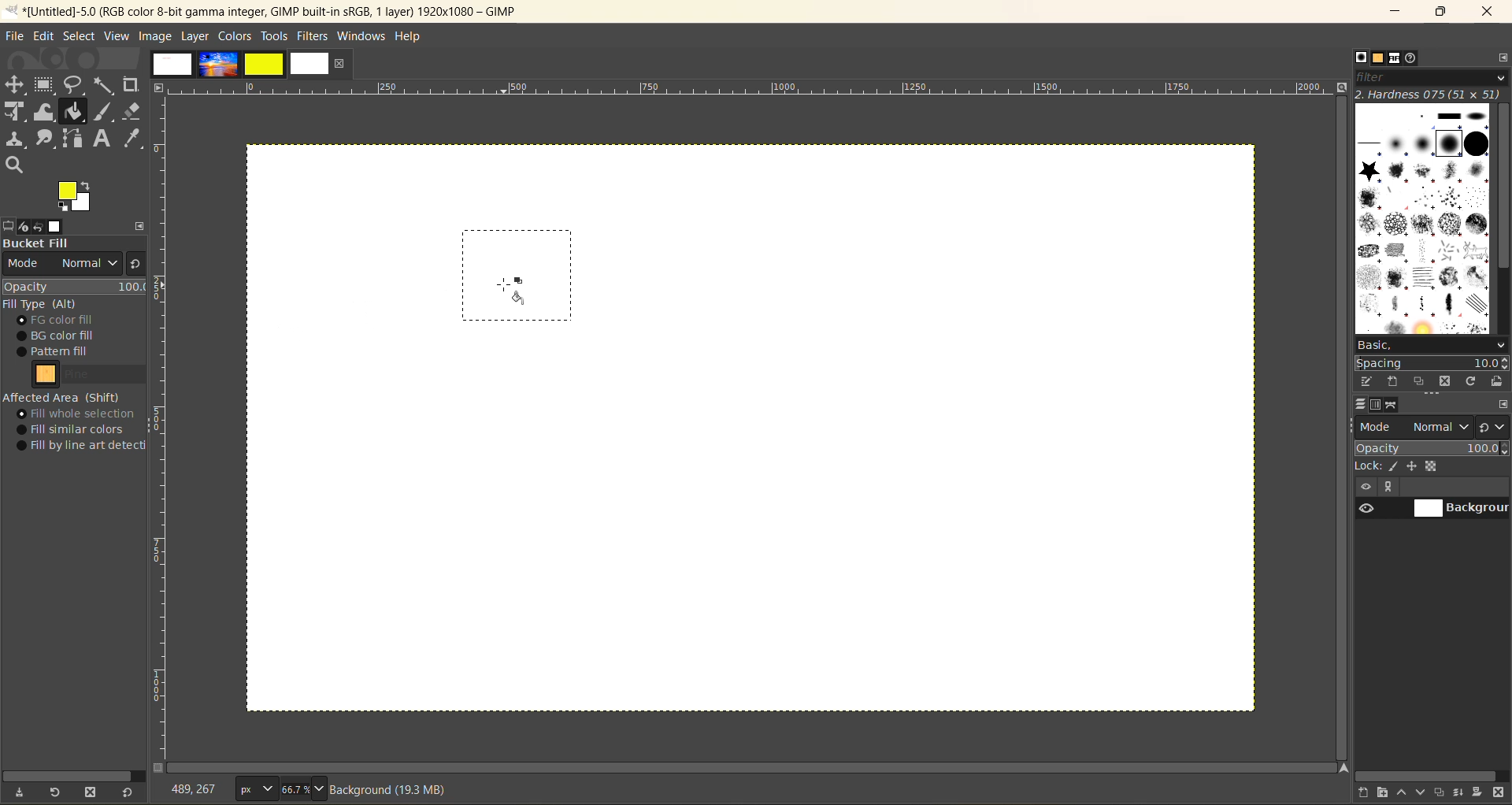  What do you see at coordinates (280, 789) in the screenshot?
I see `font size` at bounding box center [280, 789].